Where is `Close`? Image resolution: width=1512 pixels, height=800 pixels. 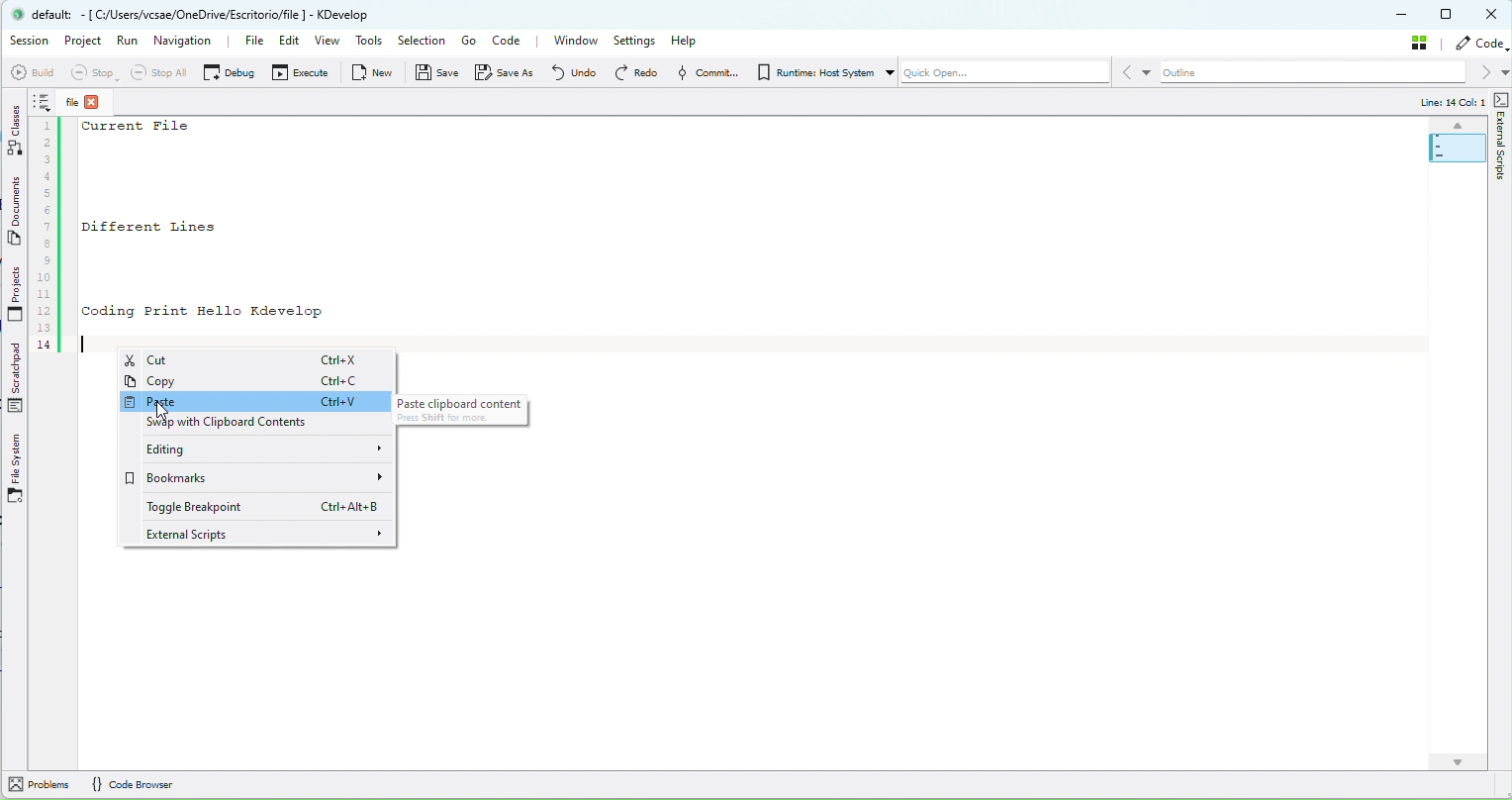
Close is located at coordinates (1493, 15).